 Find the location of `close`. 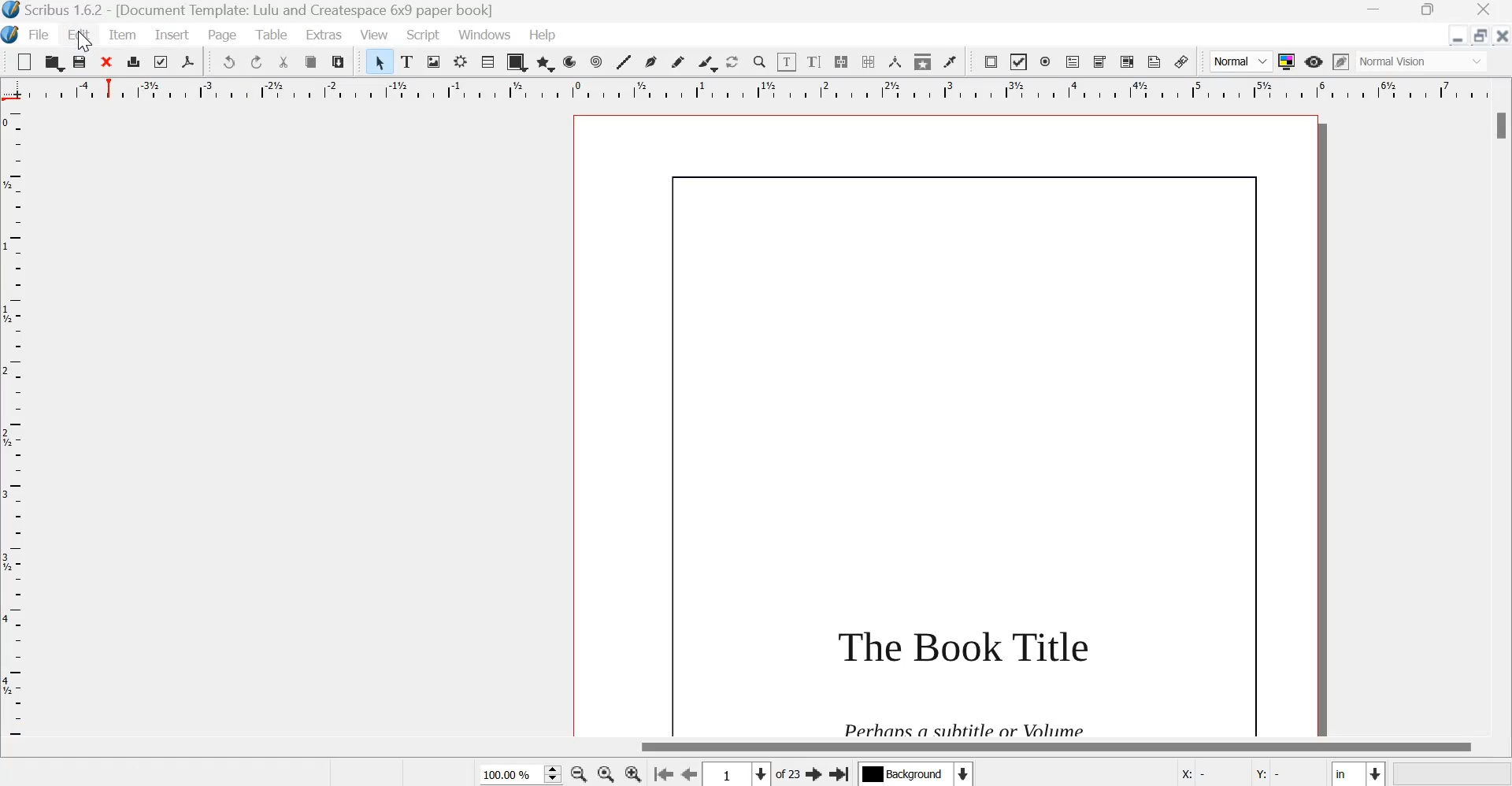

close is located at coordinates (107, 62).